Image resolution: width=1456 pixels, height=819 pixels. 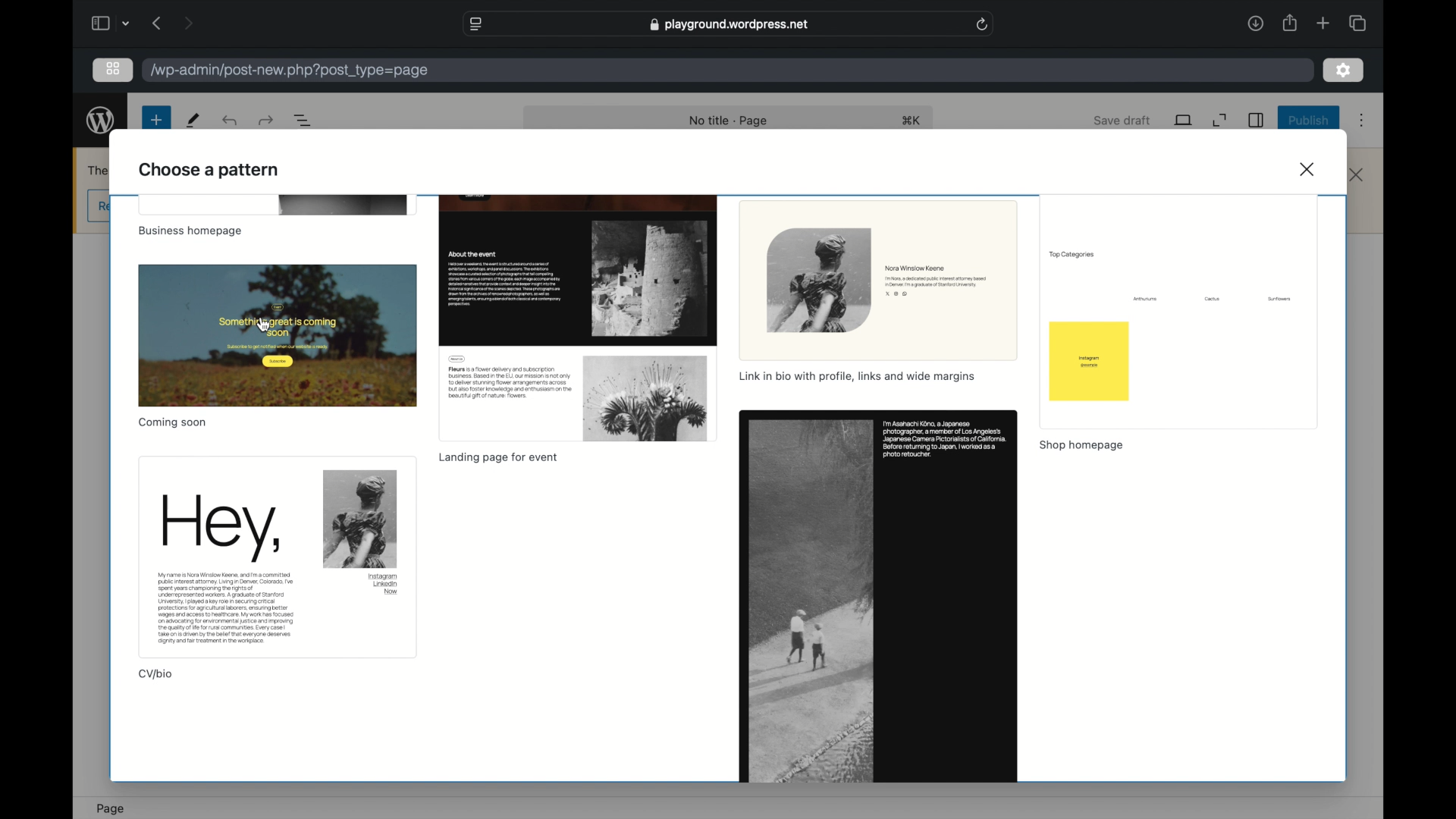 What do you see at coordinates (1183, 121) in the screenshot?
I see `view` at bounding box center [1183, 121].